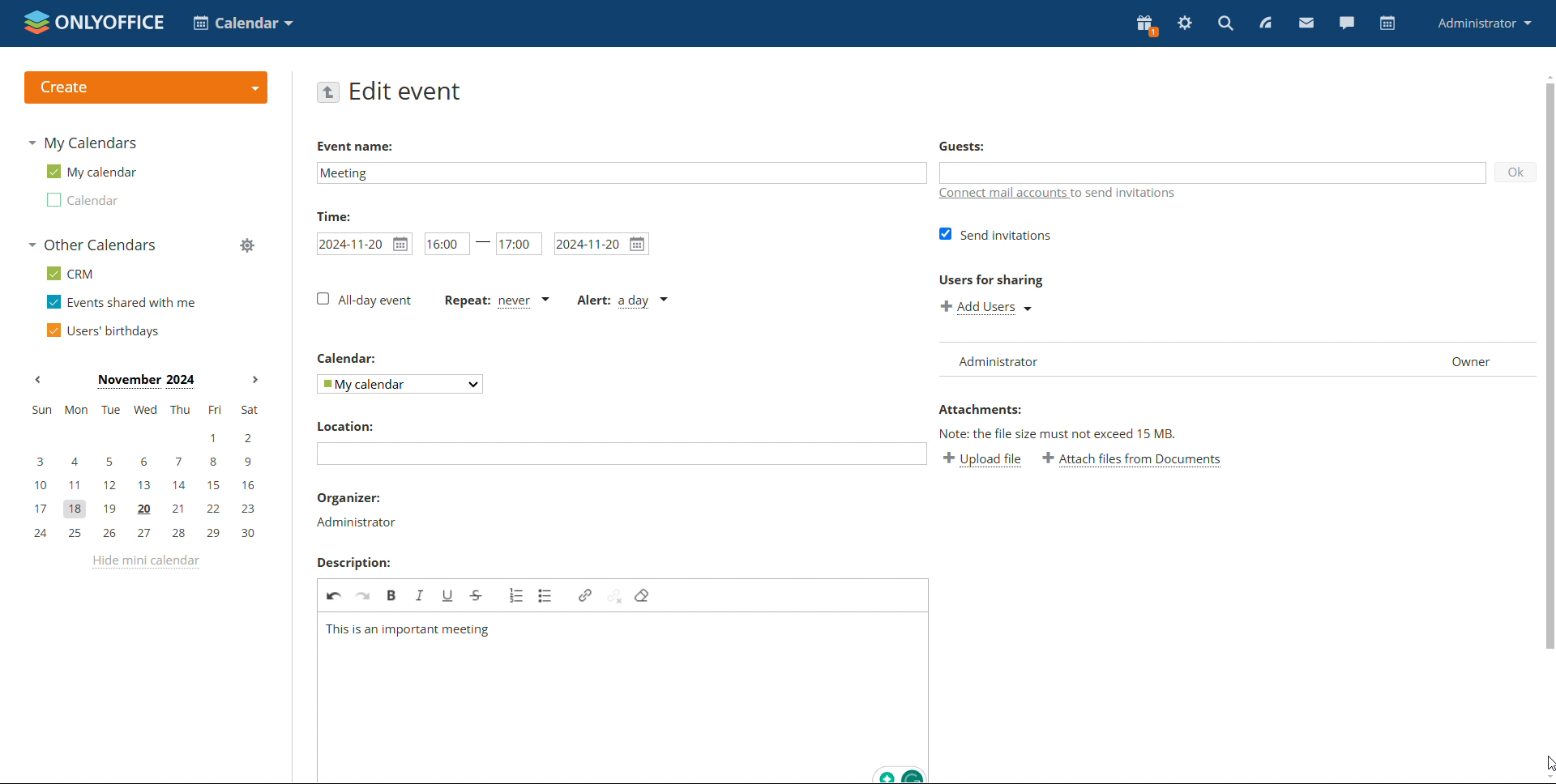  I want to click on organiser, so click(347, 499).